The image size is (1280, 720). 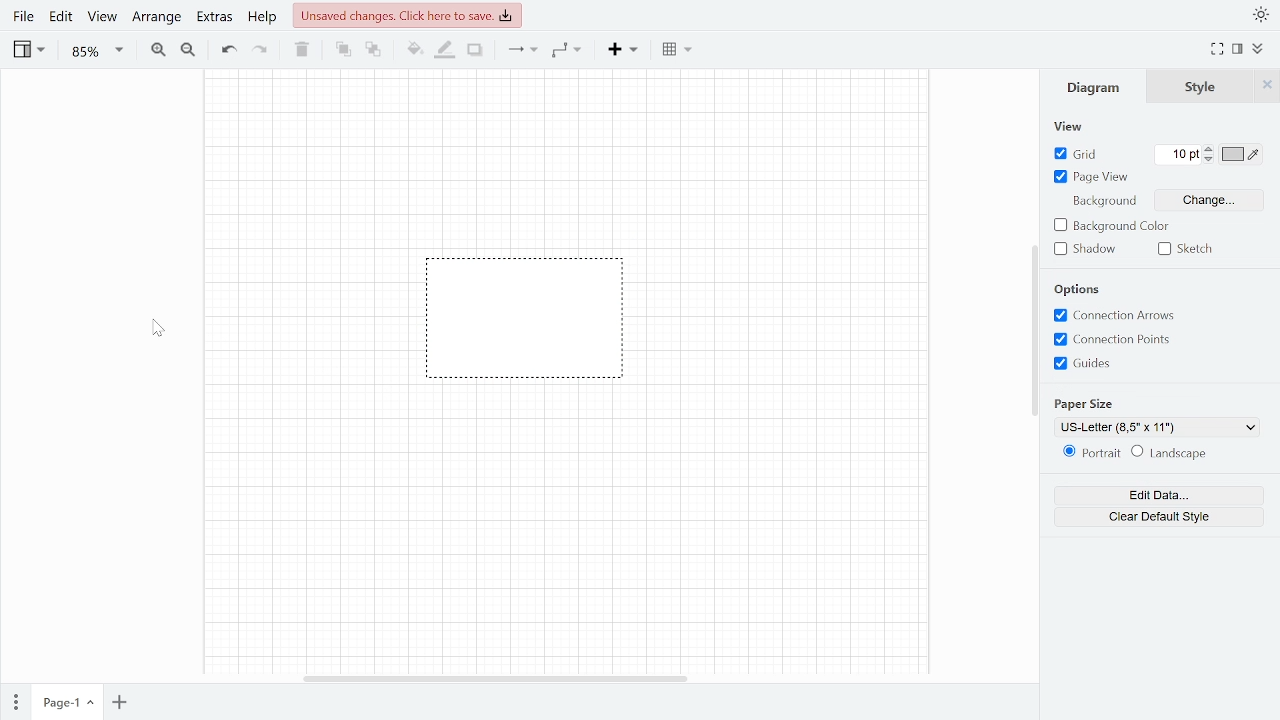 I want to click on Paper size, so click(x=1090, y=403).